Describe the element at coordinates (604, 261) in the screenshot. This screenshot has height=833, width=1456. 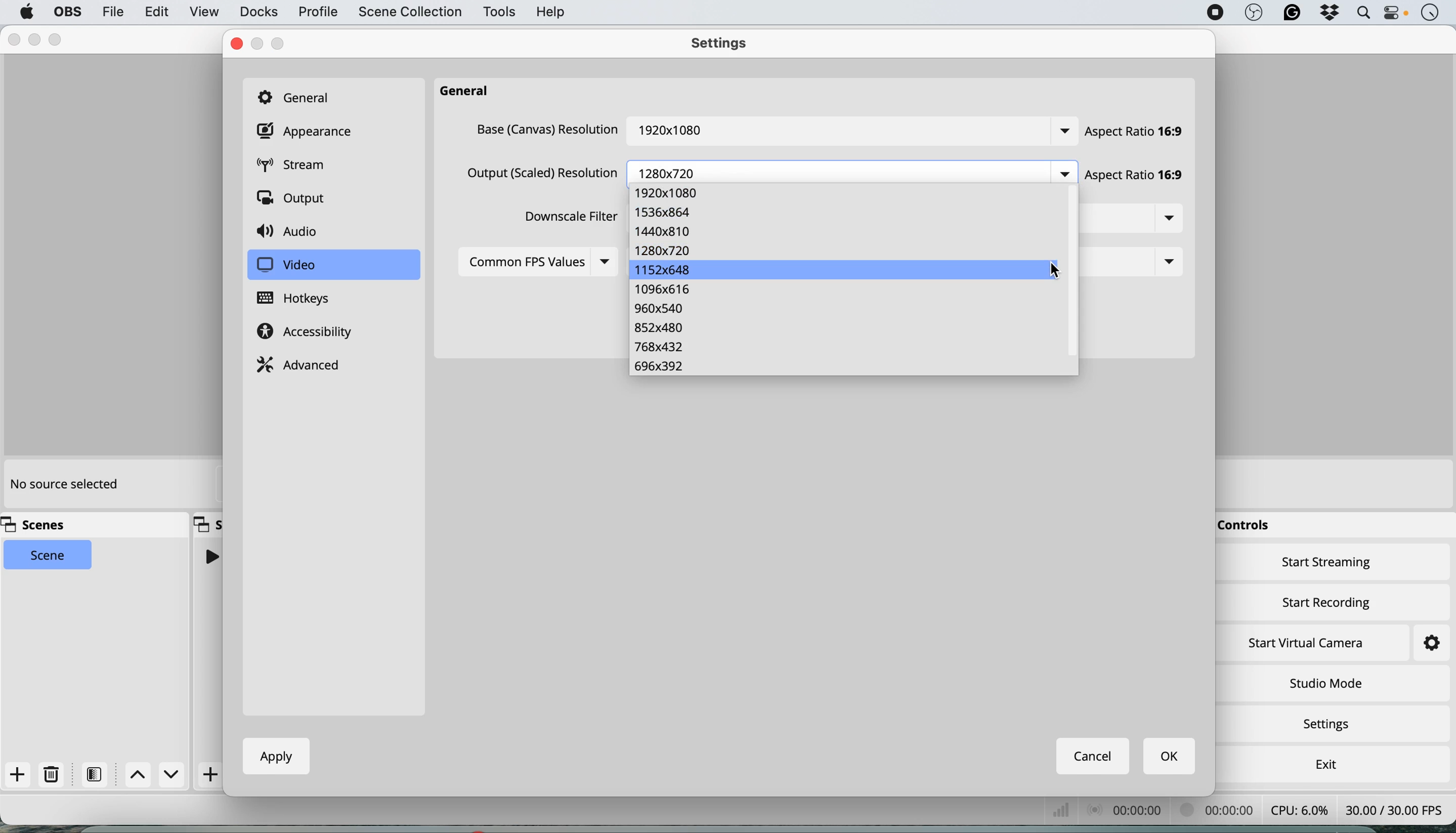
I see `list` at that location.